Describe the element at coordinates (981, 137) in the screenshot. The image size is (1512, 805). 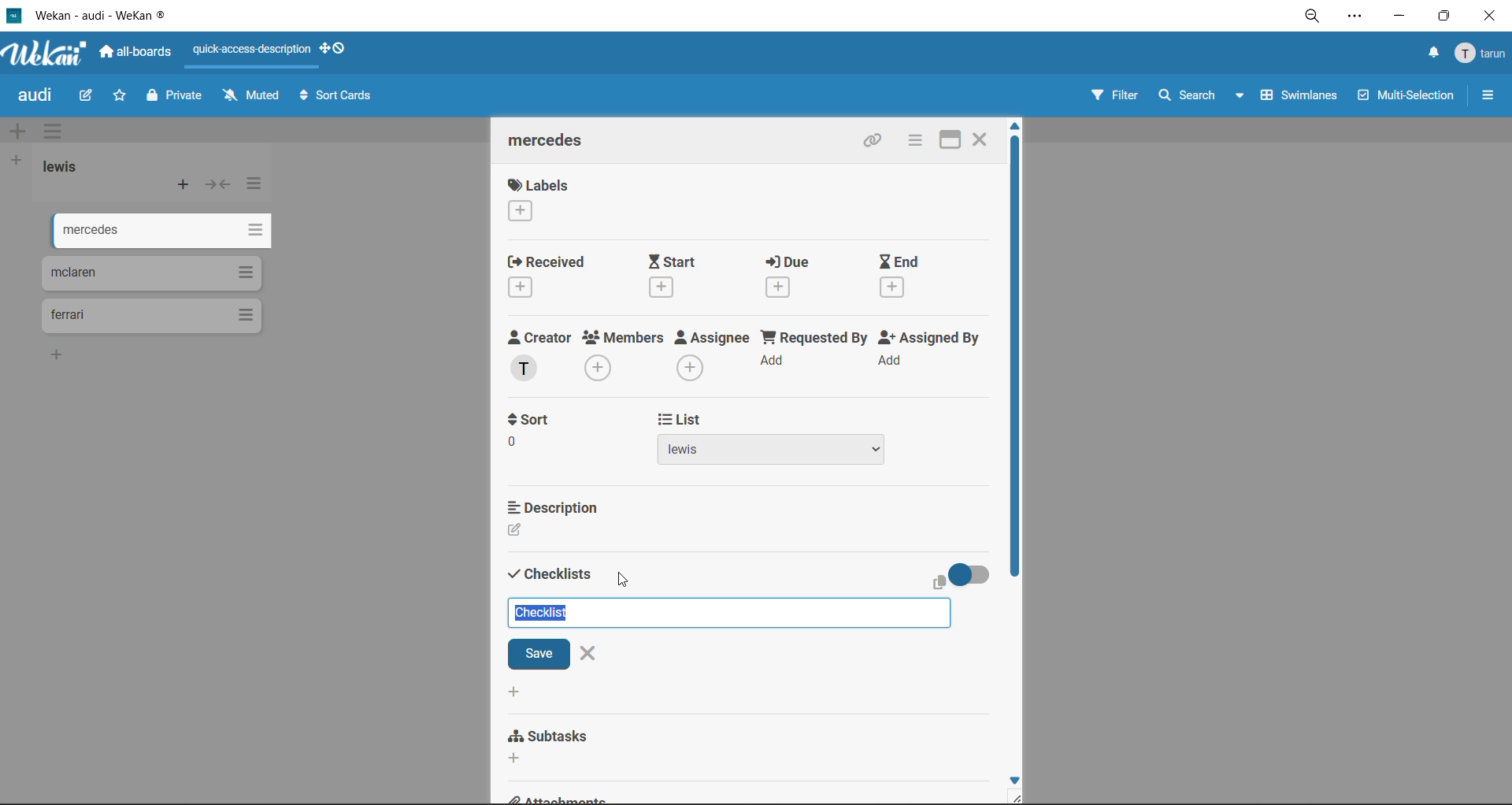
I see `close` at that location.